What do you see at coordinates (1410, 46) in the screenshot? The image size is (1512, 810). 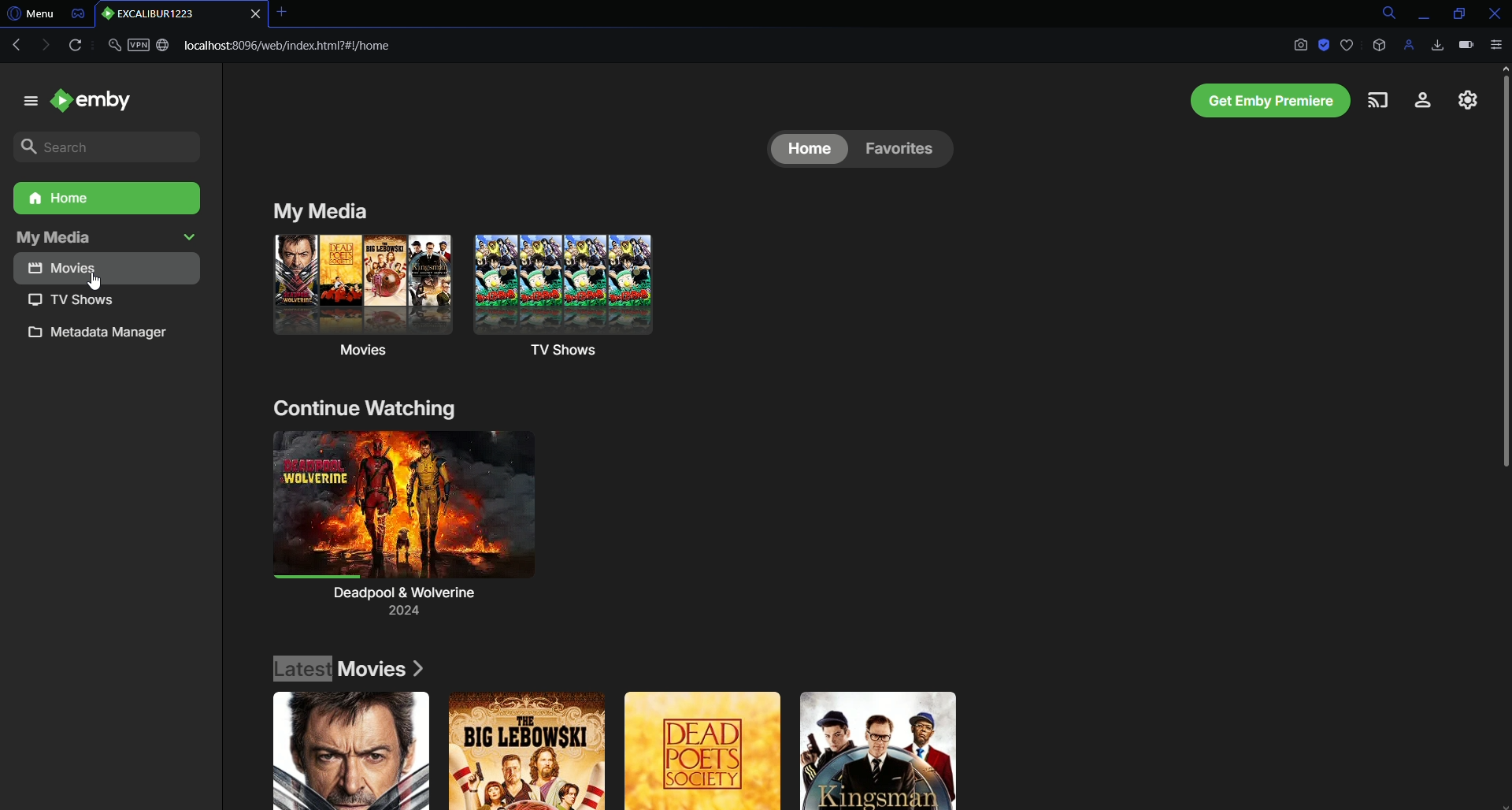 I see `Profile` at bounding box center [1410, 46].